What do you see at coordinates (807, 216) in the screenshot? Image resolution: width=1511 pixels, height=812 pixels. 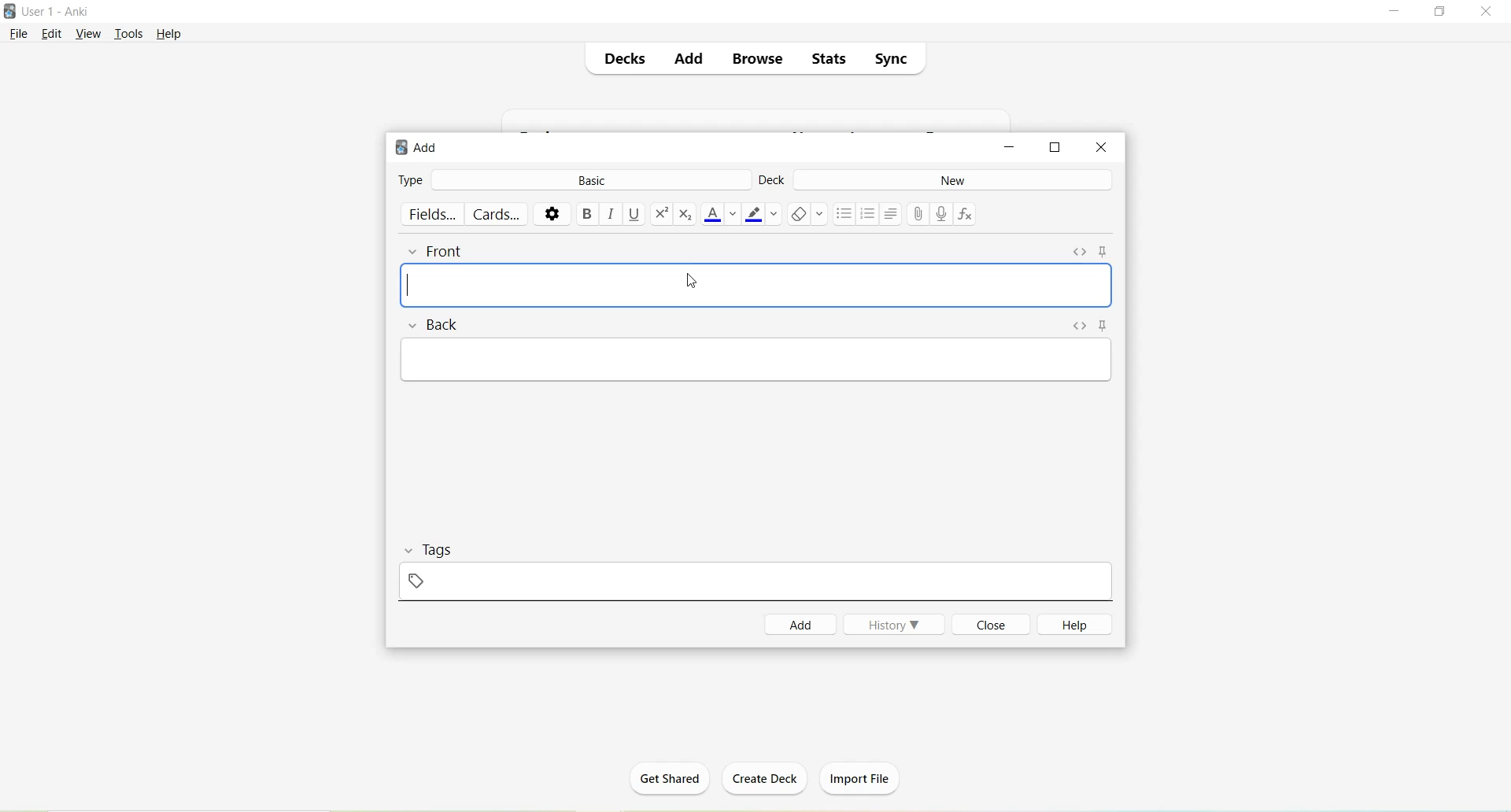 I see `Remove formatting` at bounding box center [807, 216].